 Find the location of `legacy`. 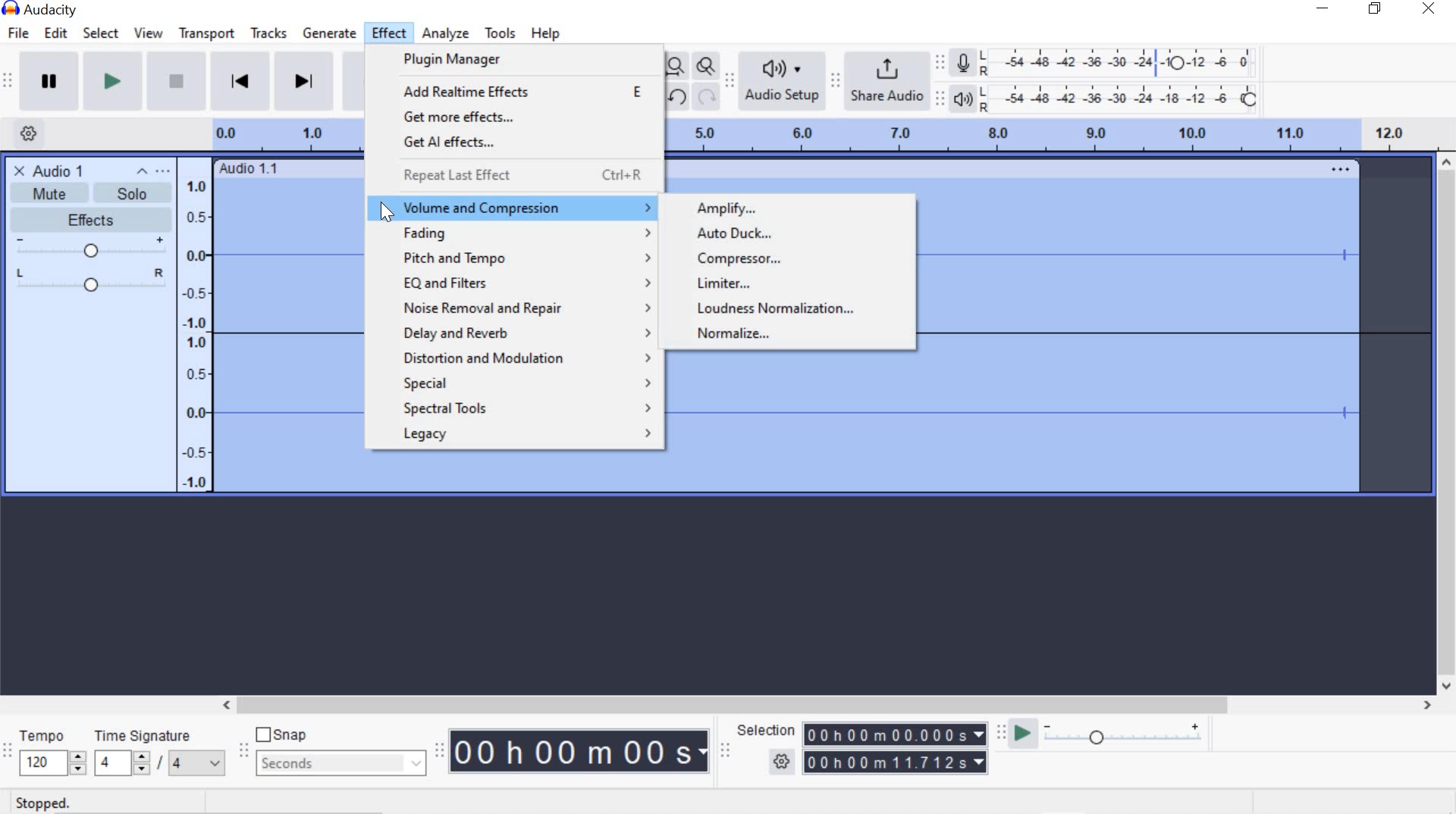

legacy is located at coordinates (525, 434).